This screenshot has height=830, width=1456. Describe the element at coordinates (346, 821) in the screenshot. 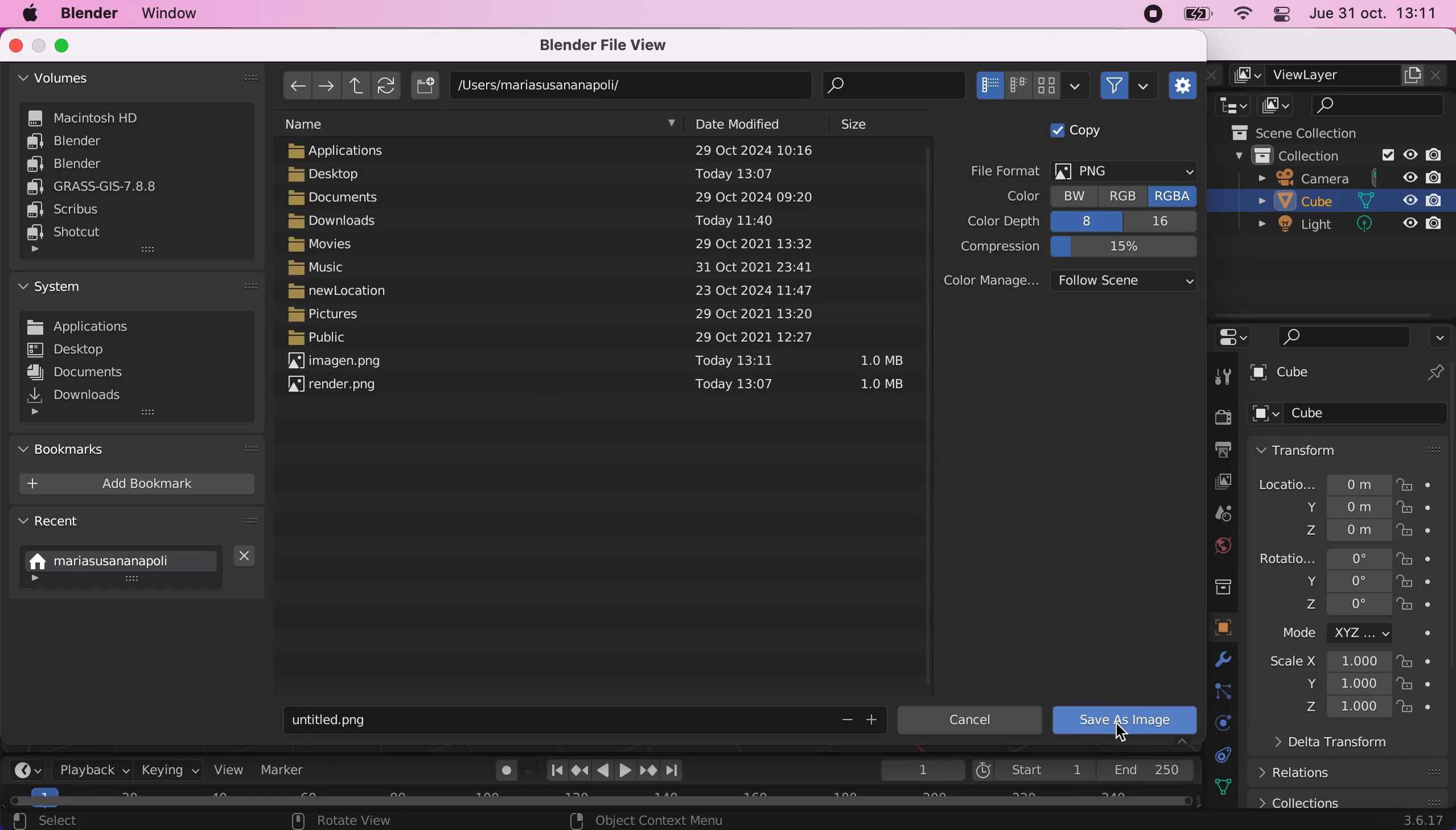

I see `rotate view` at that location.